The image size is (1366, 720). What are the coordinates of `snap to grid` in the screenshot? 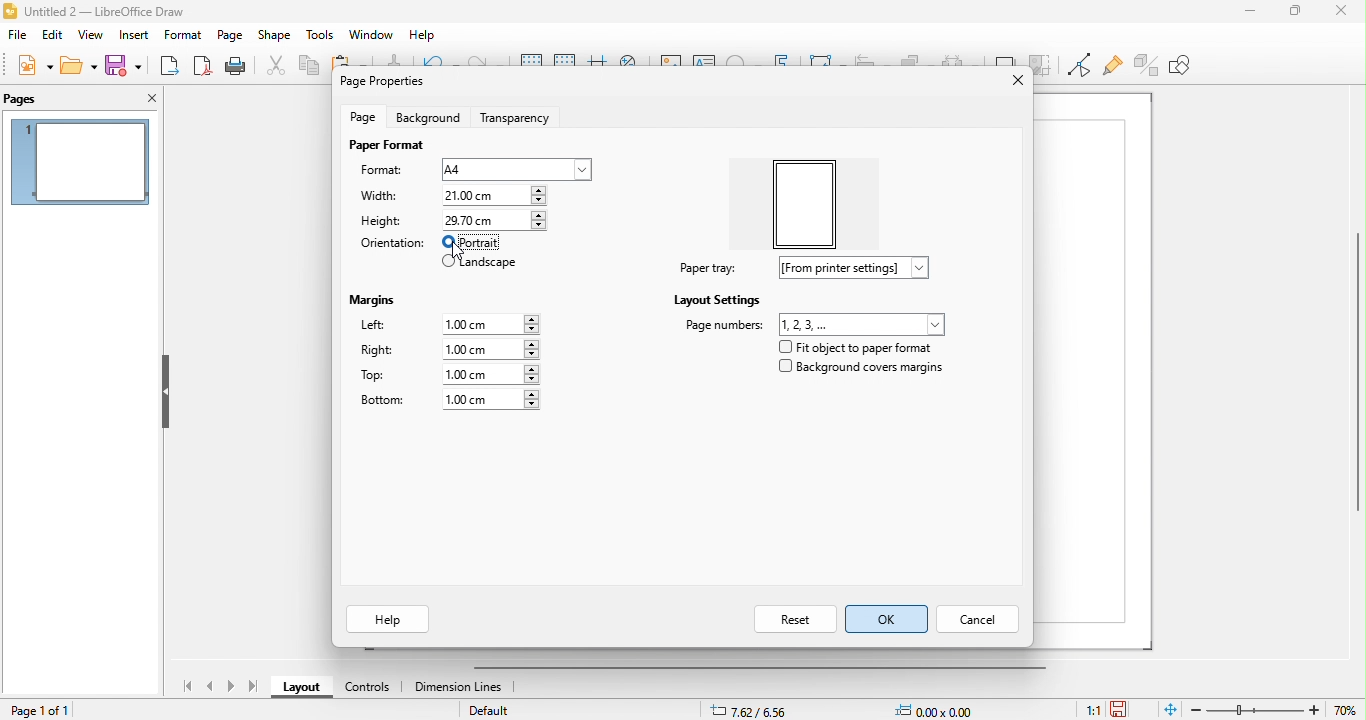 It's located at (564, 64).